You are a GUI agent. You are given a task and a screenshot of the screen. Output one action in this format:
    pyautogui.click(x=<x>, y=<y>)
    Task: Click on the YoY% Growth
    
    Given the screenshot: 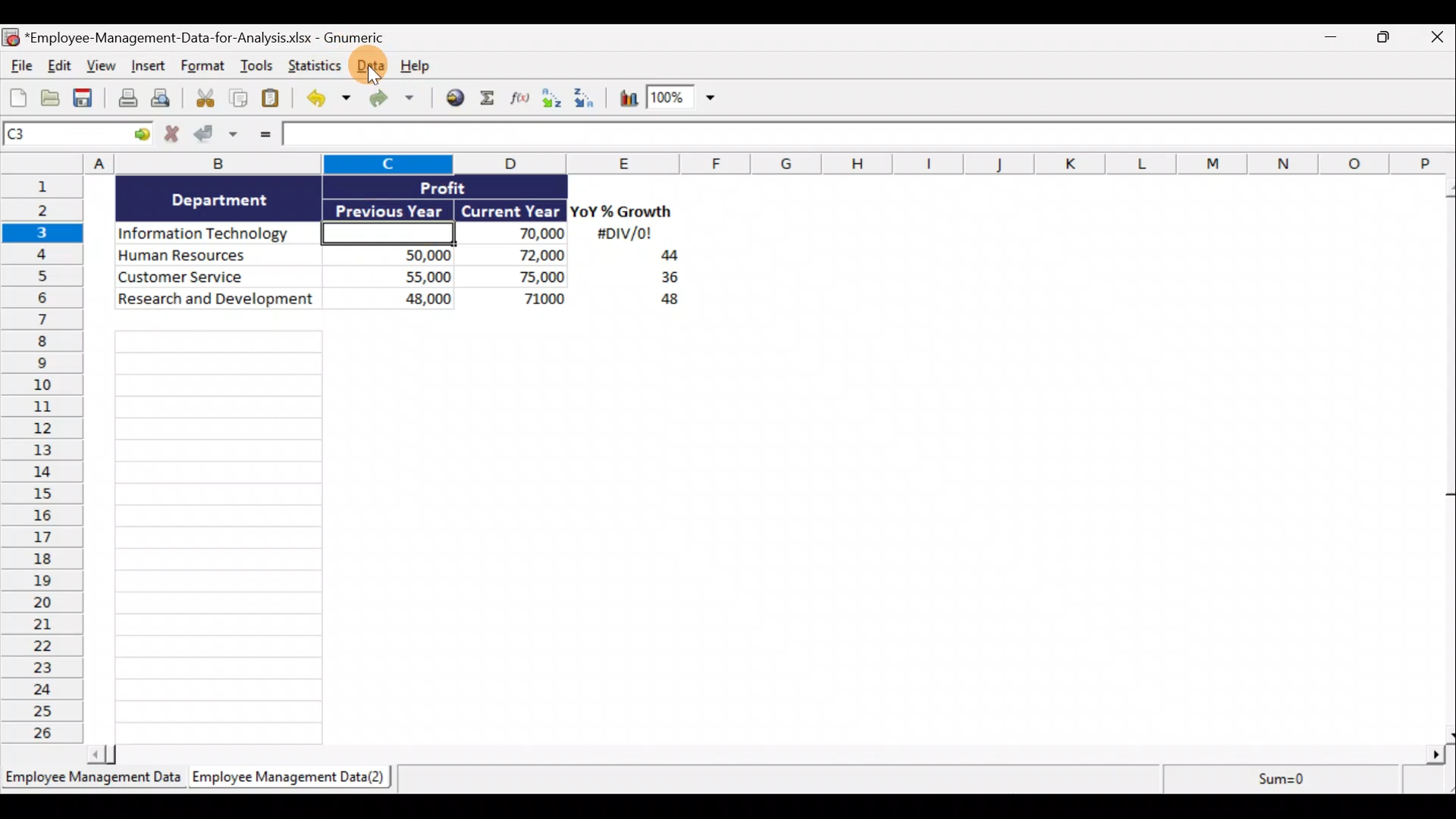 What is the action you would take?
    pyautogui.click(x=622, y=212)
    